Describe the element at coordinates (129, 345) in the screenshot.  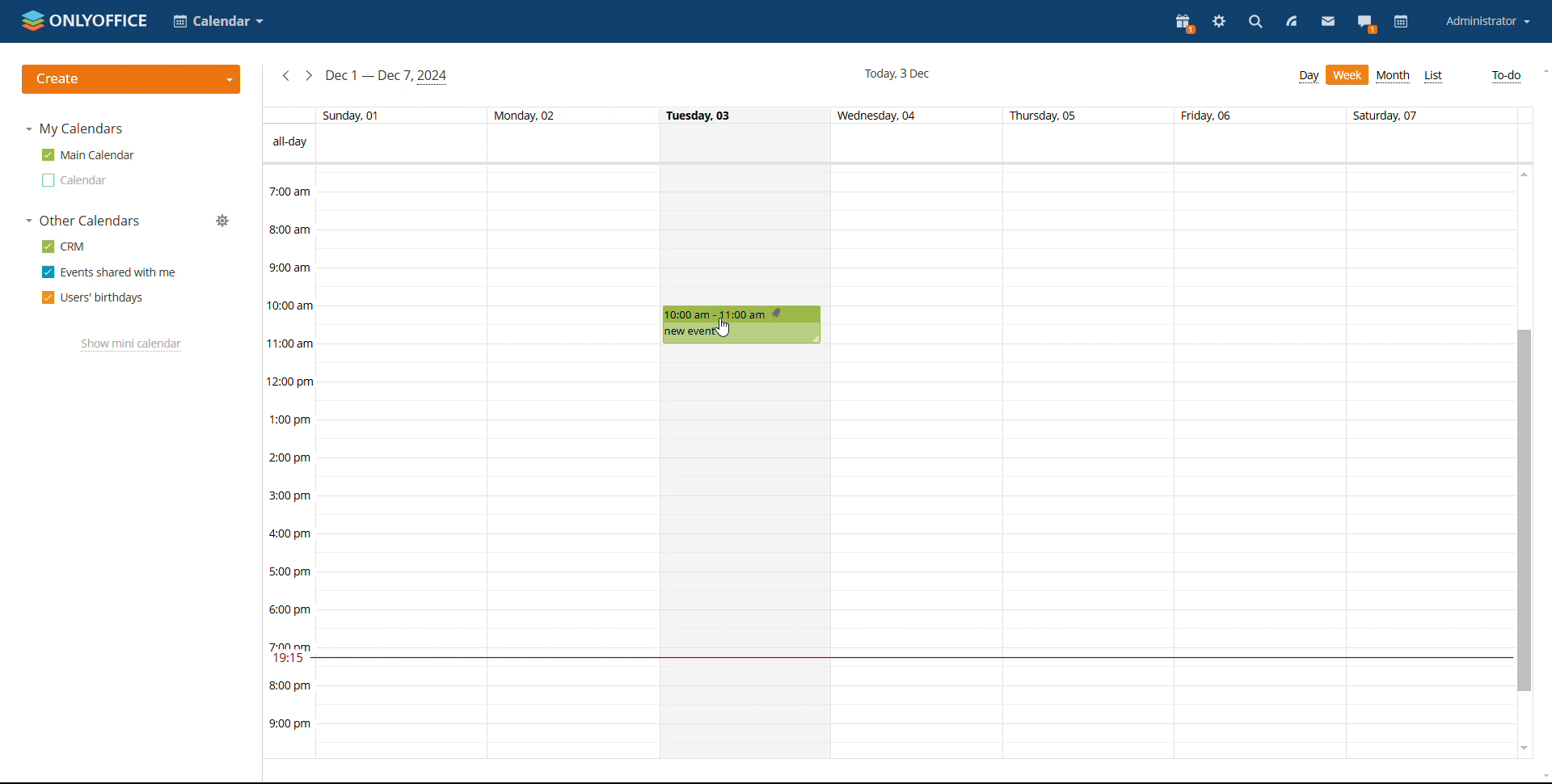
I see `Show mini calendar` at that location.